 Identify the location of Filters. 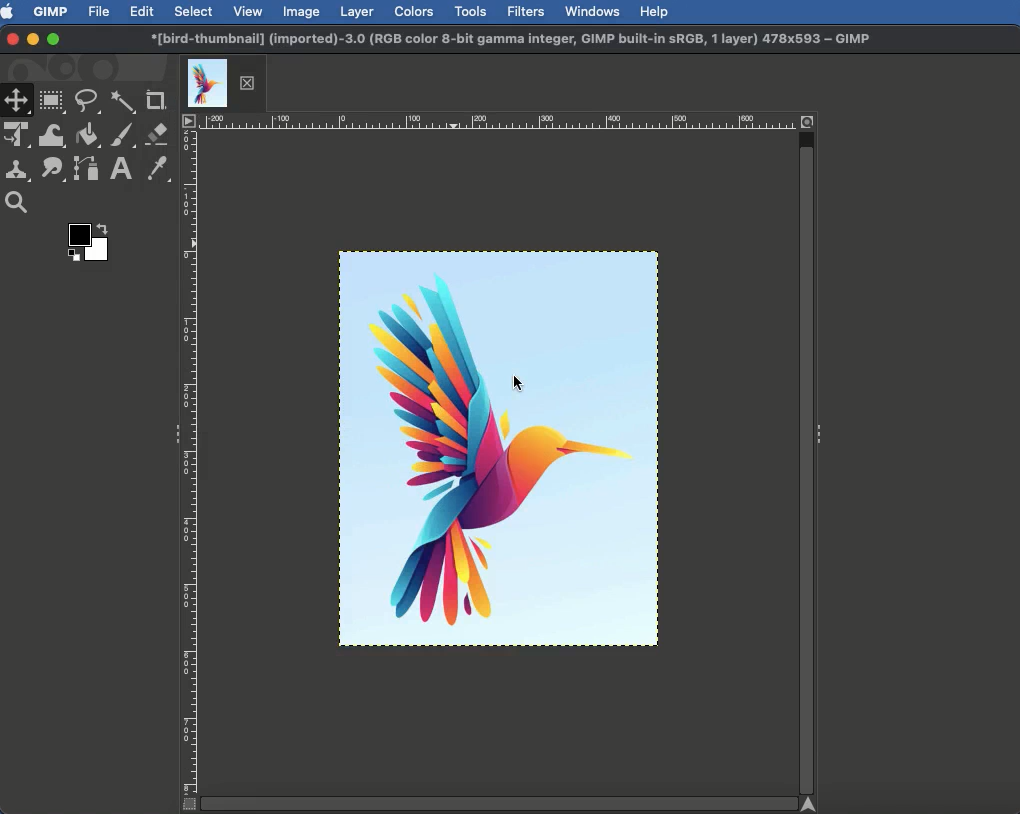
(527, 12).